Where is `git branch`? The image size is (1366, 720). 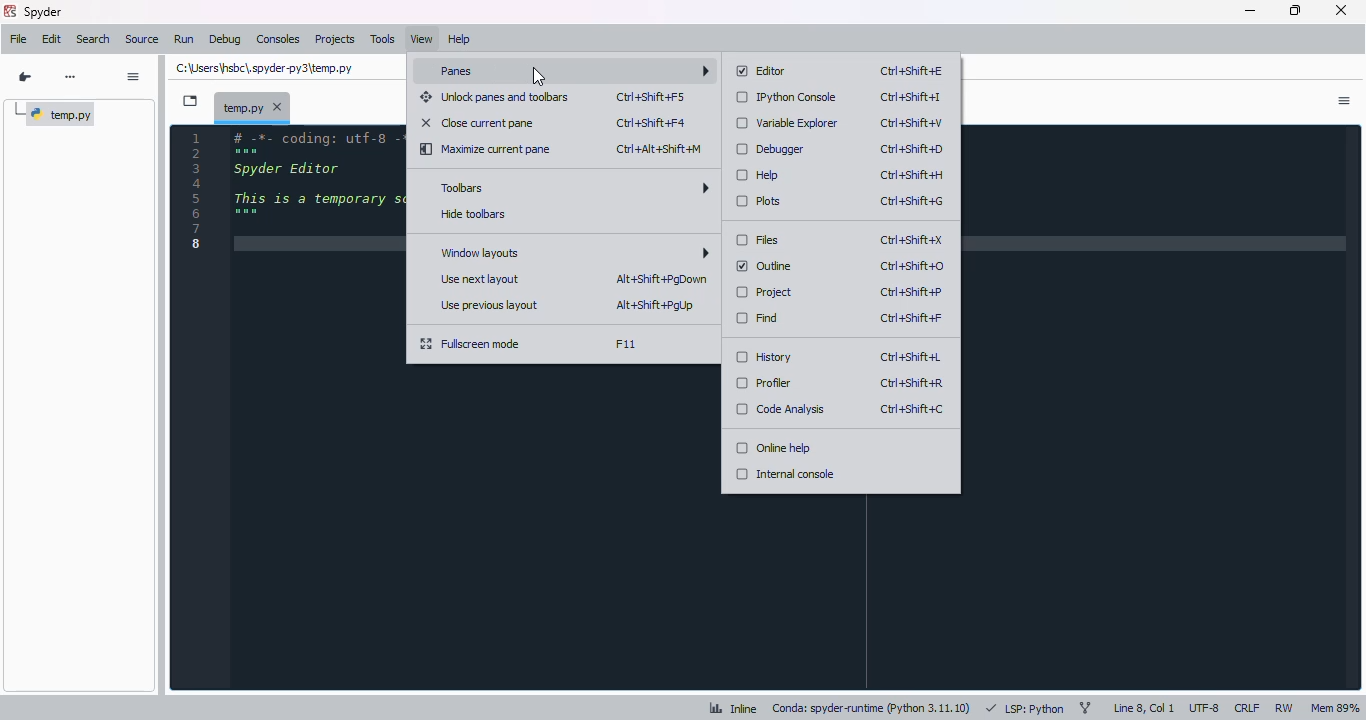
git branch is located at coordinates (1084, 706).